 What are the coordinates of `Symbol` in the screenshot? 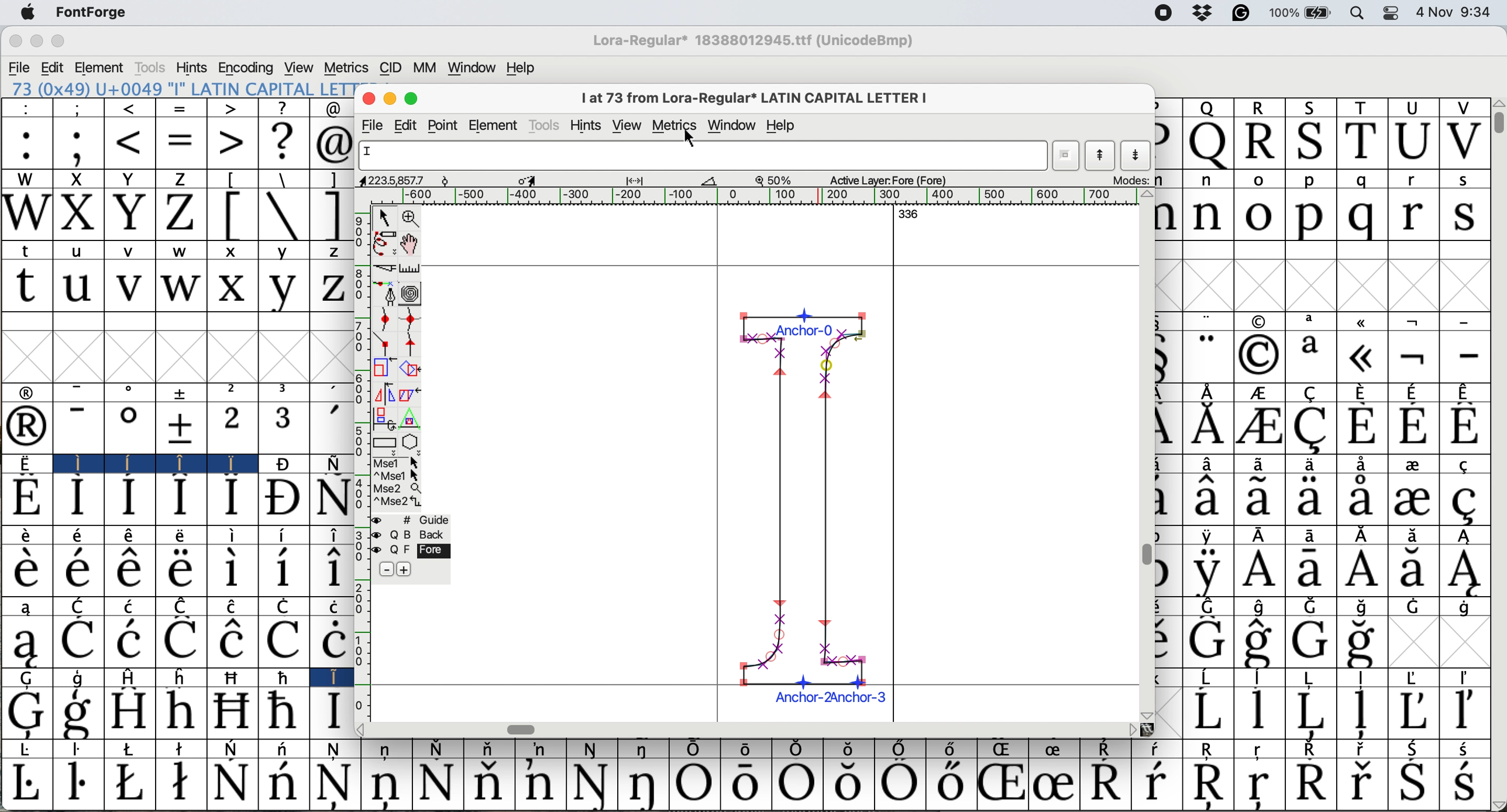 It's located at (541, 749).